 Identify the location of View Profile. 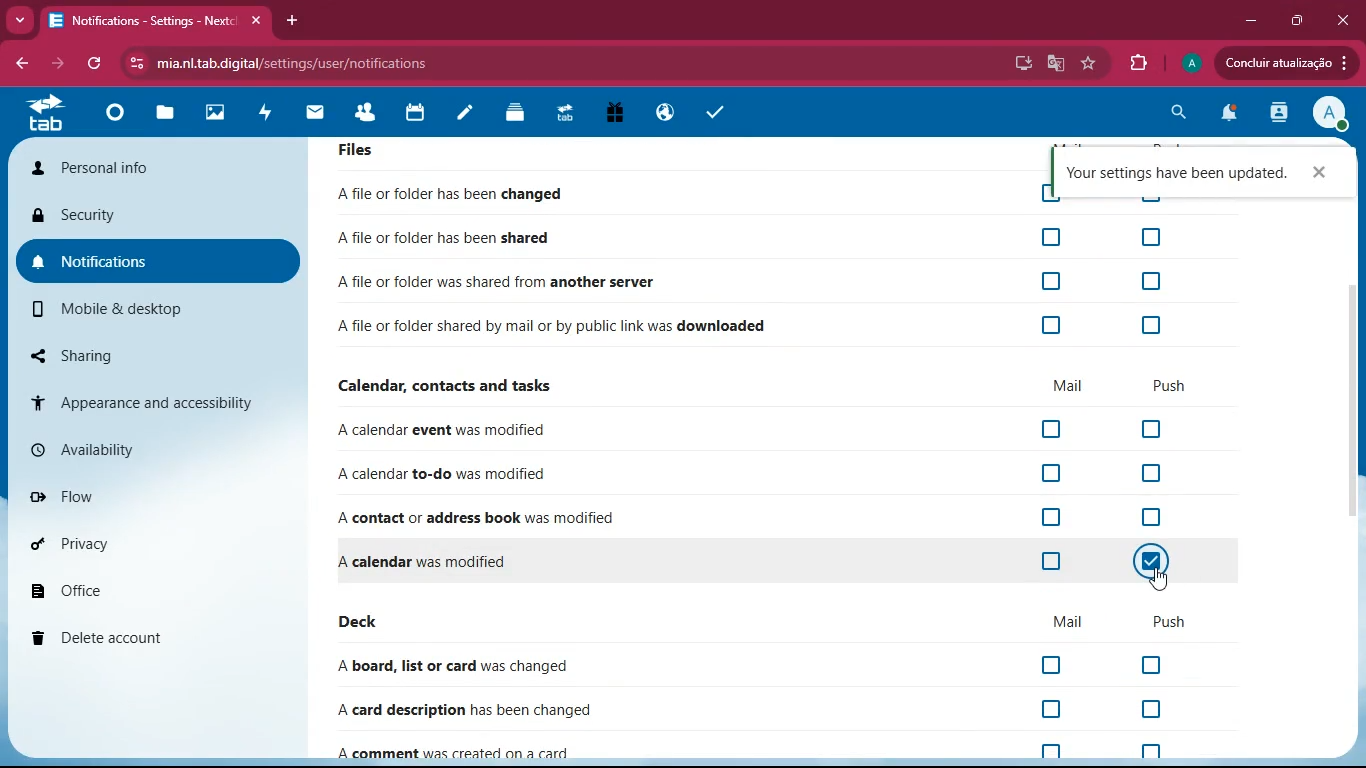
(1331, 114).